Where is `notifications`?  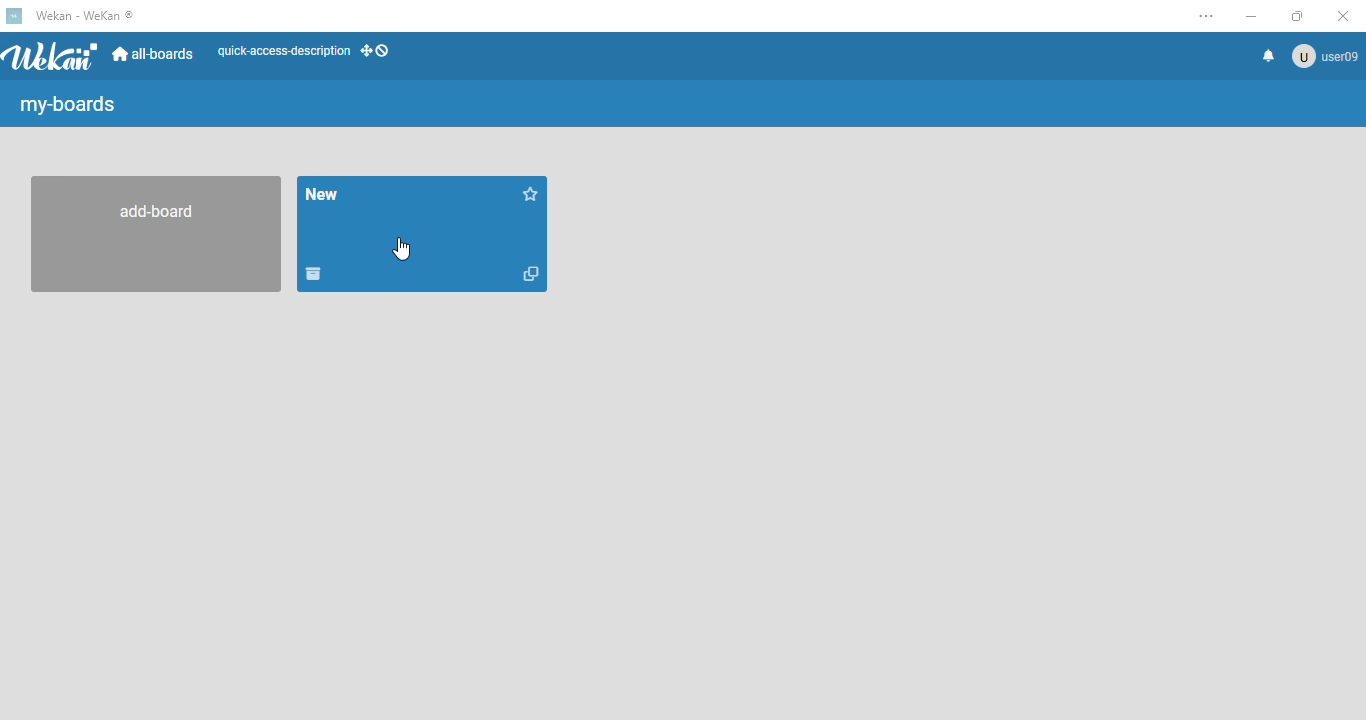
notifications is located at coordinates (1268, 55).